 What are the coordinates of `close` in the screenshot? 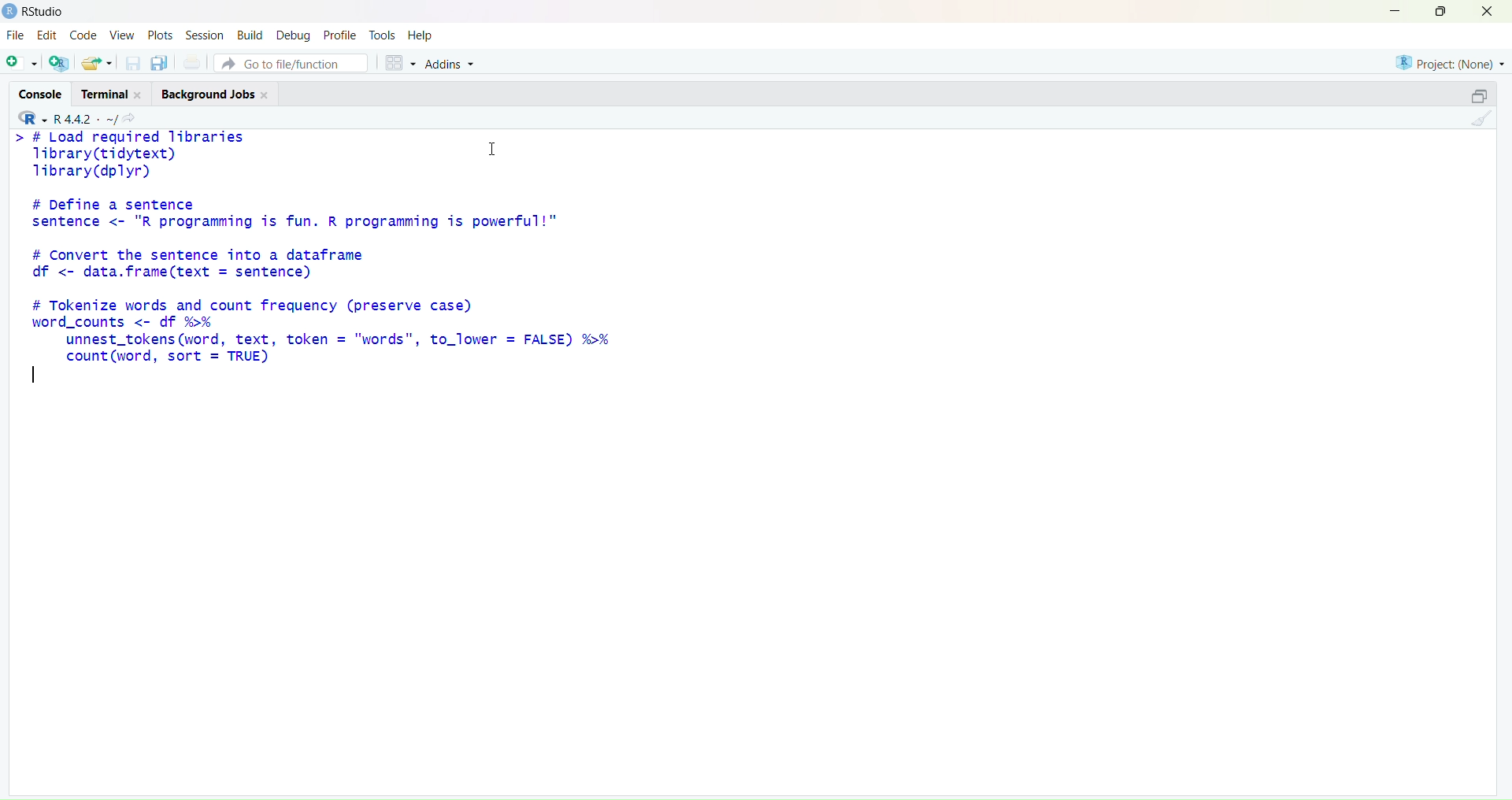 It's located at (1488, 12).